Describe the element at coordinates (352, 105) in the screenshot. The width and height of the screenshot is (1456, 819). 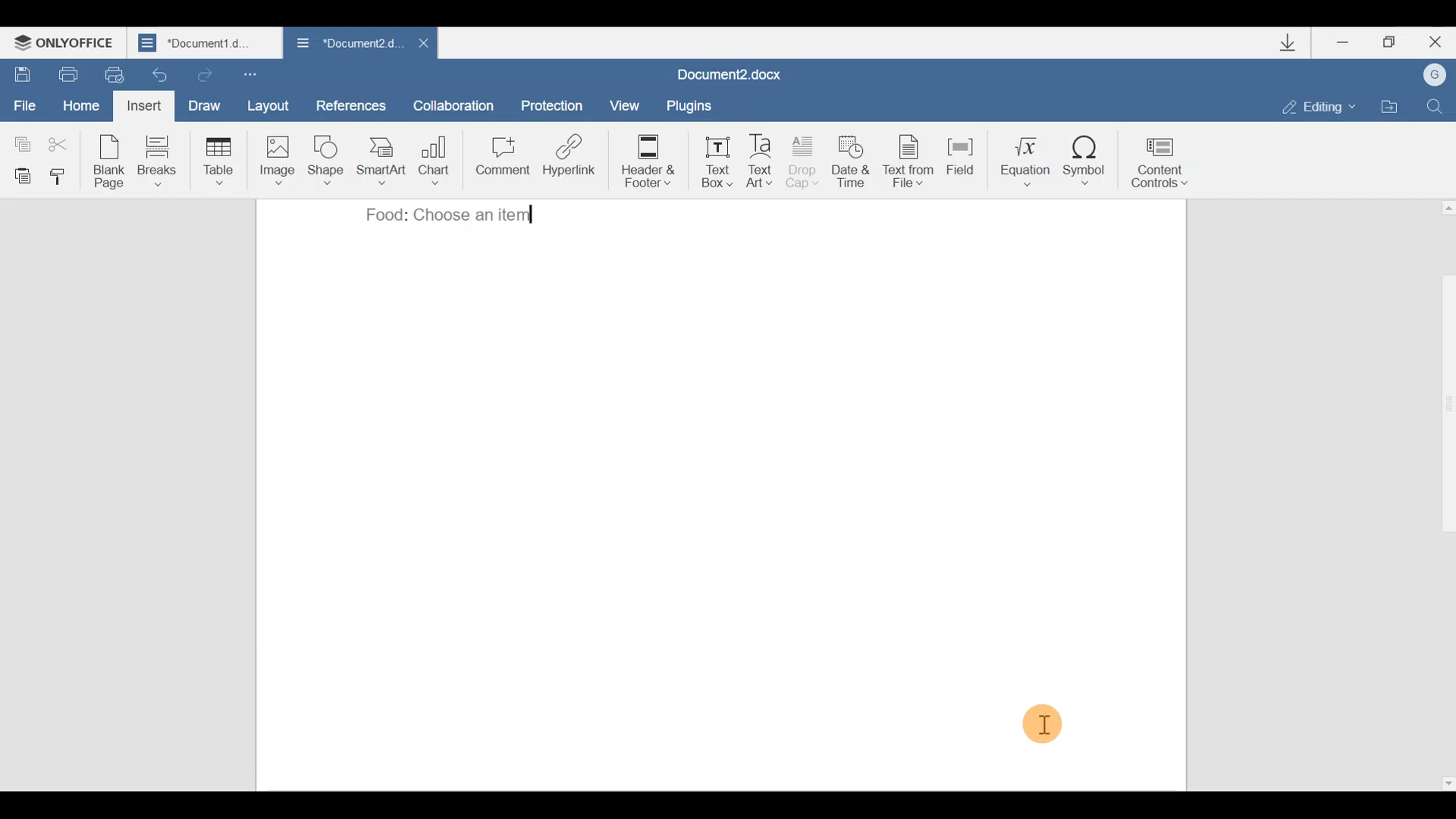
I see `References` at that location.